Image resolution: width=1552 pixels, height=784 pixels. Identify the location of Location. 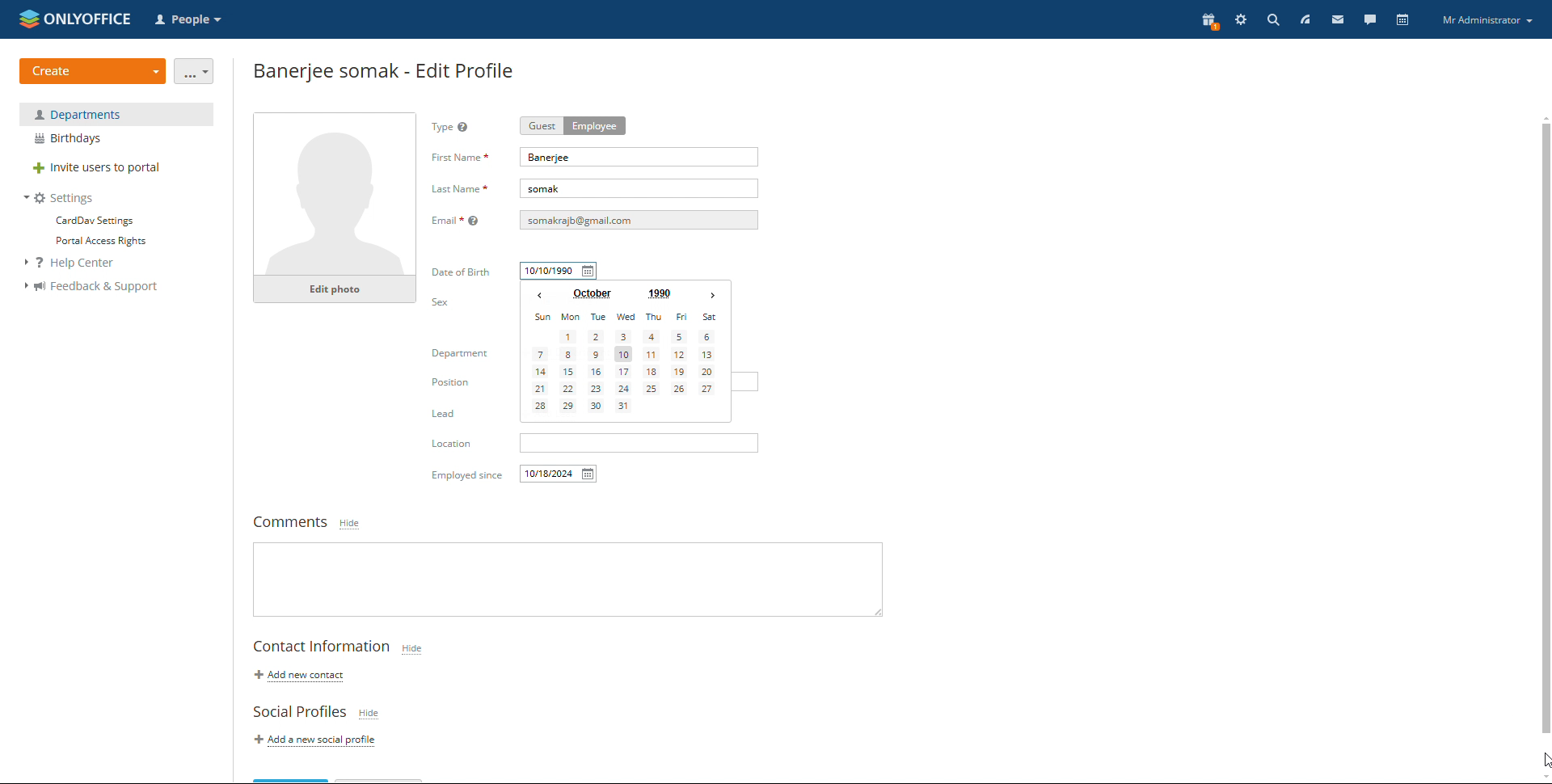
(452, 446).